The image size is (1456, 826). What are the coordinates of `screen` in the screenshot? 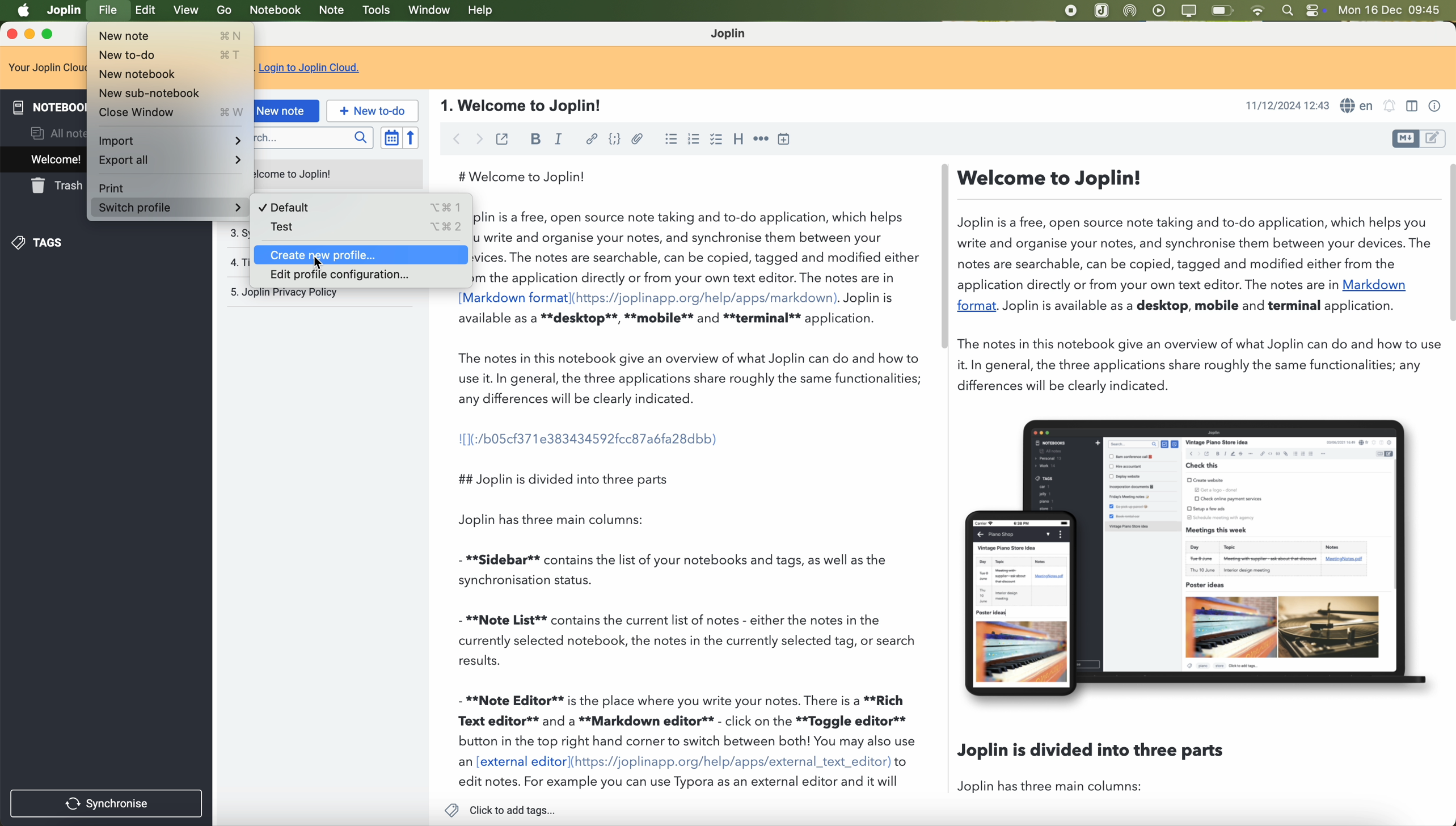 It's located at (1189, 11).